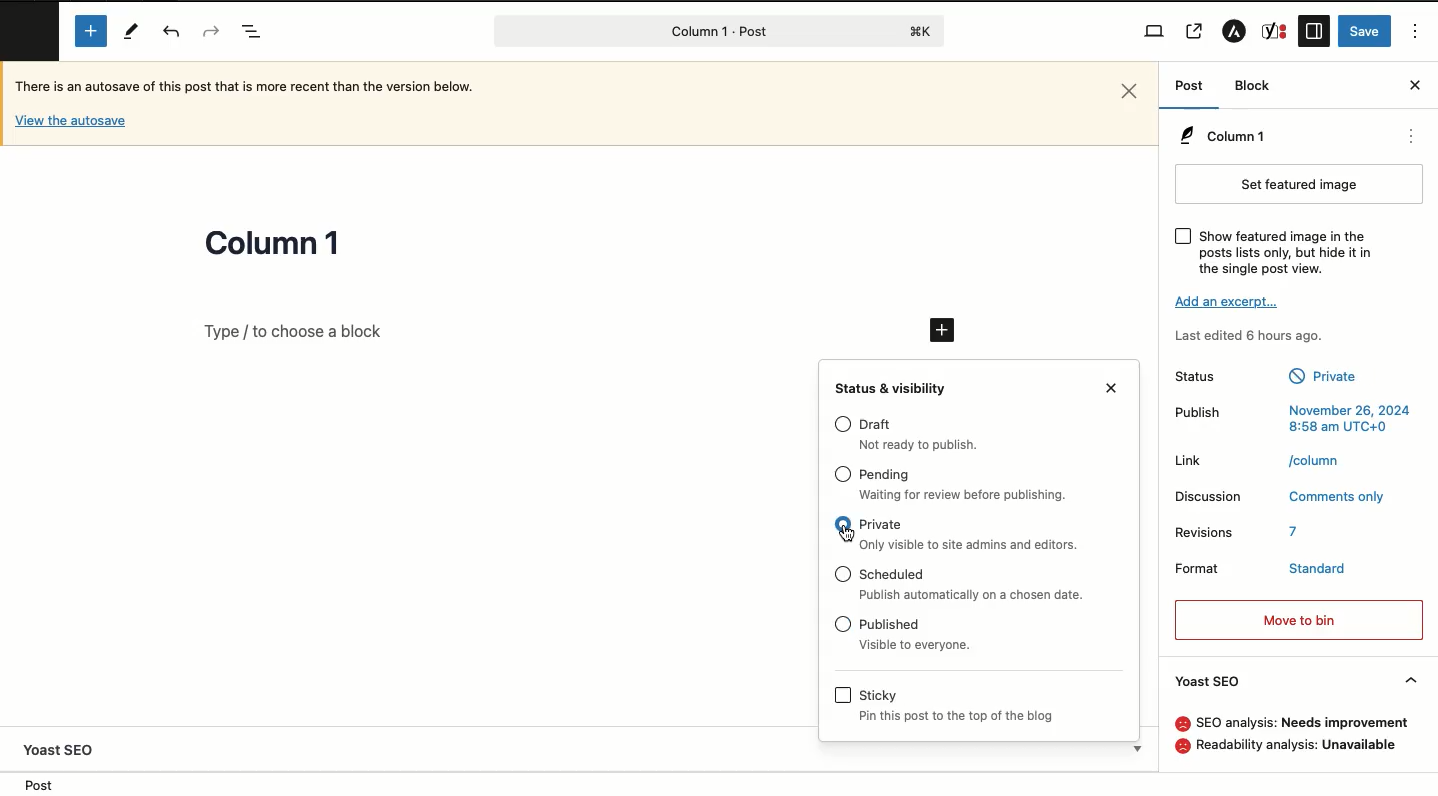 The width and height of the screenshot is (1438, 796). Describe the element at coordinates (877, 765) in the screenshot. I see `Sticky` at that location.